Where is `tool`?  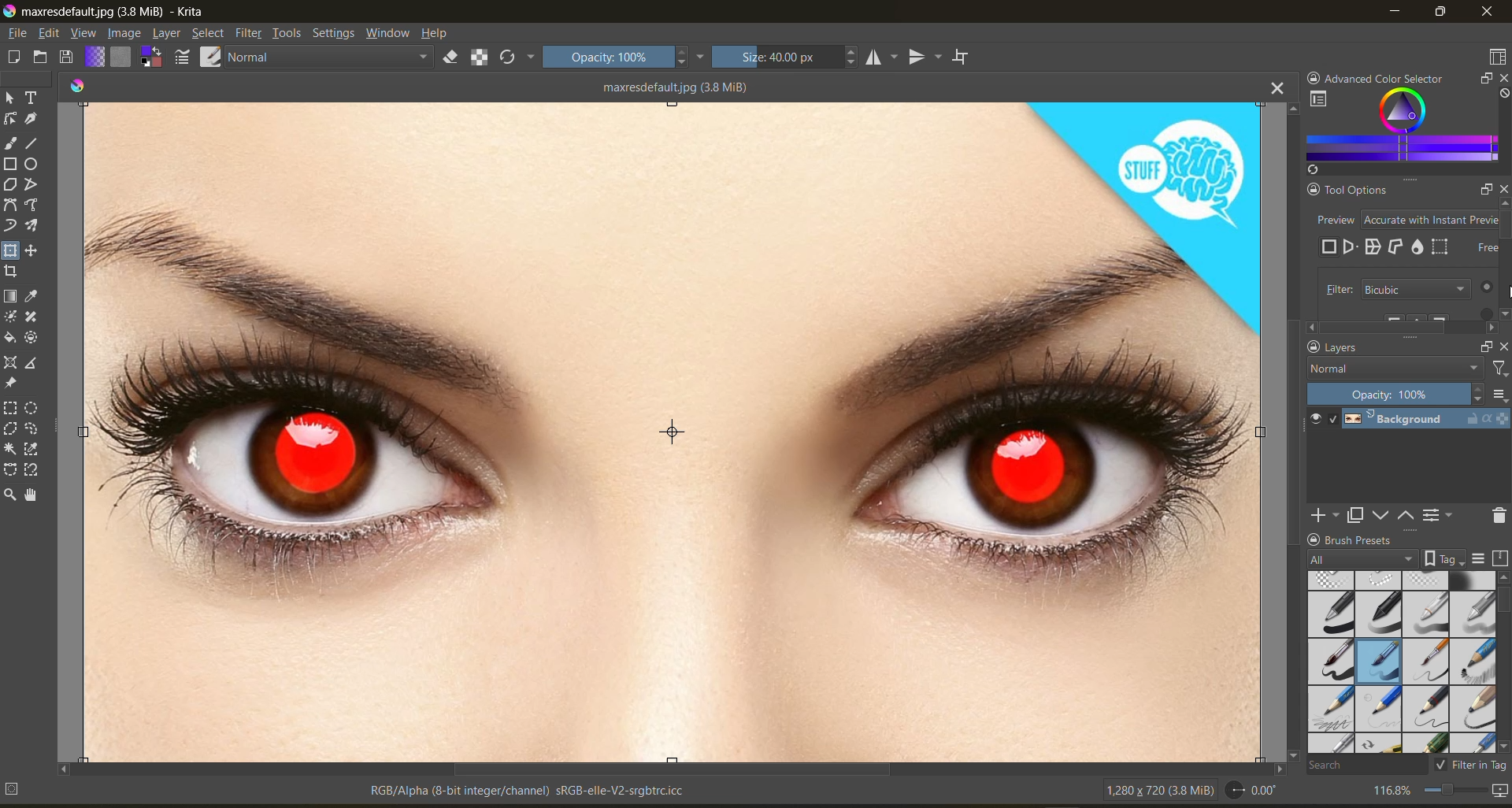
tool is located at coordinates (10, 206).